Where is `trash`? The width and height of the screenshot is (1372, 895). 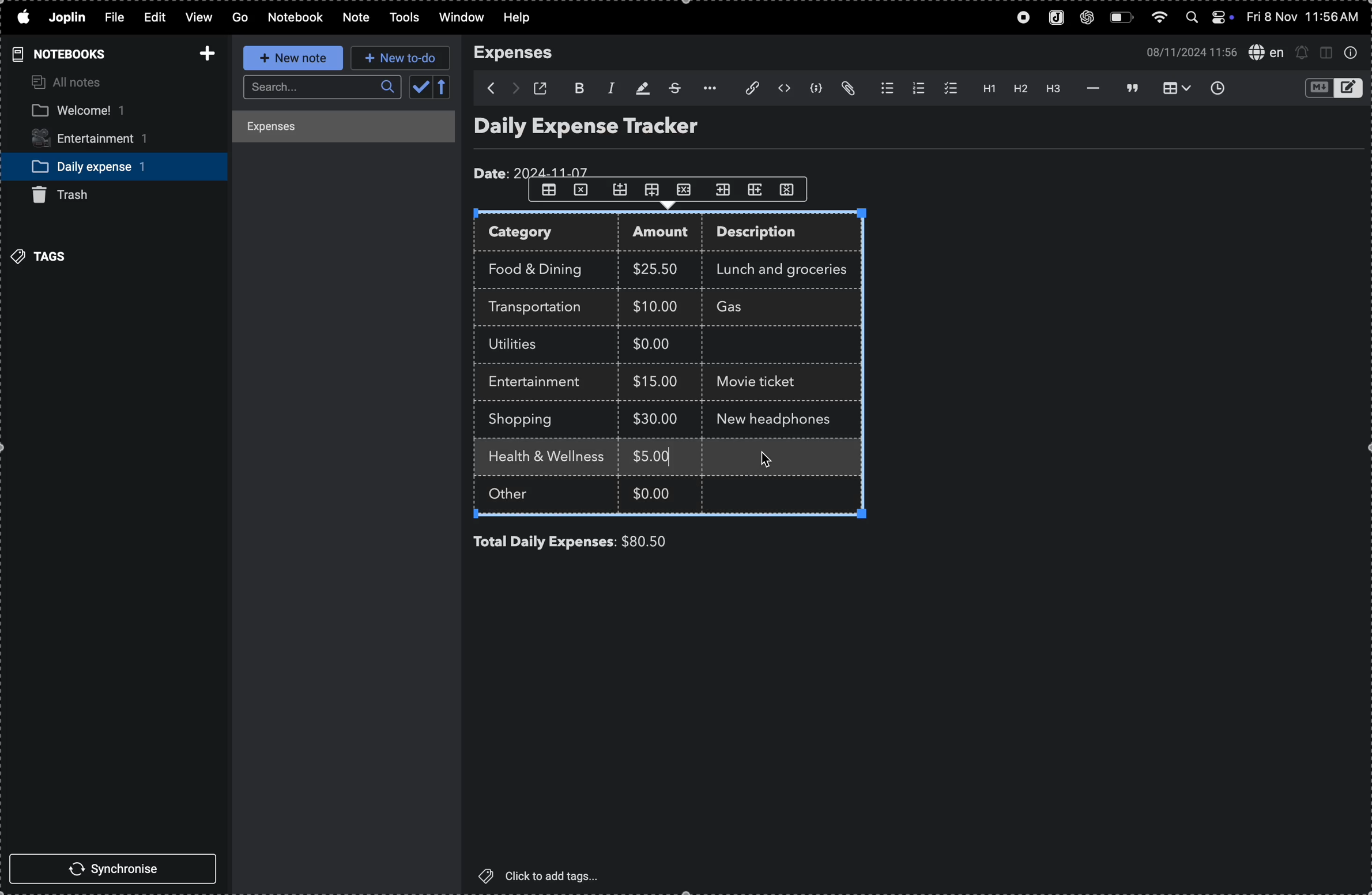
trash is located at coordinates (70, 195).